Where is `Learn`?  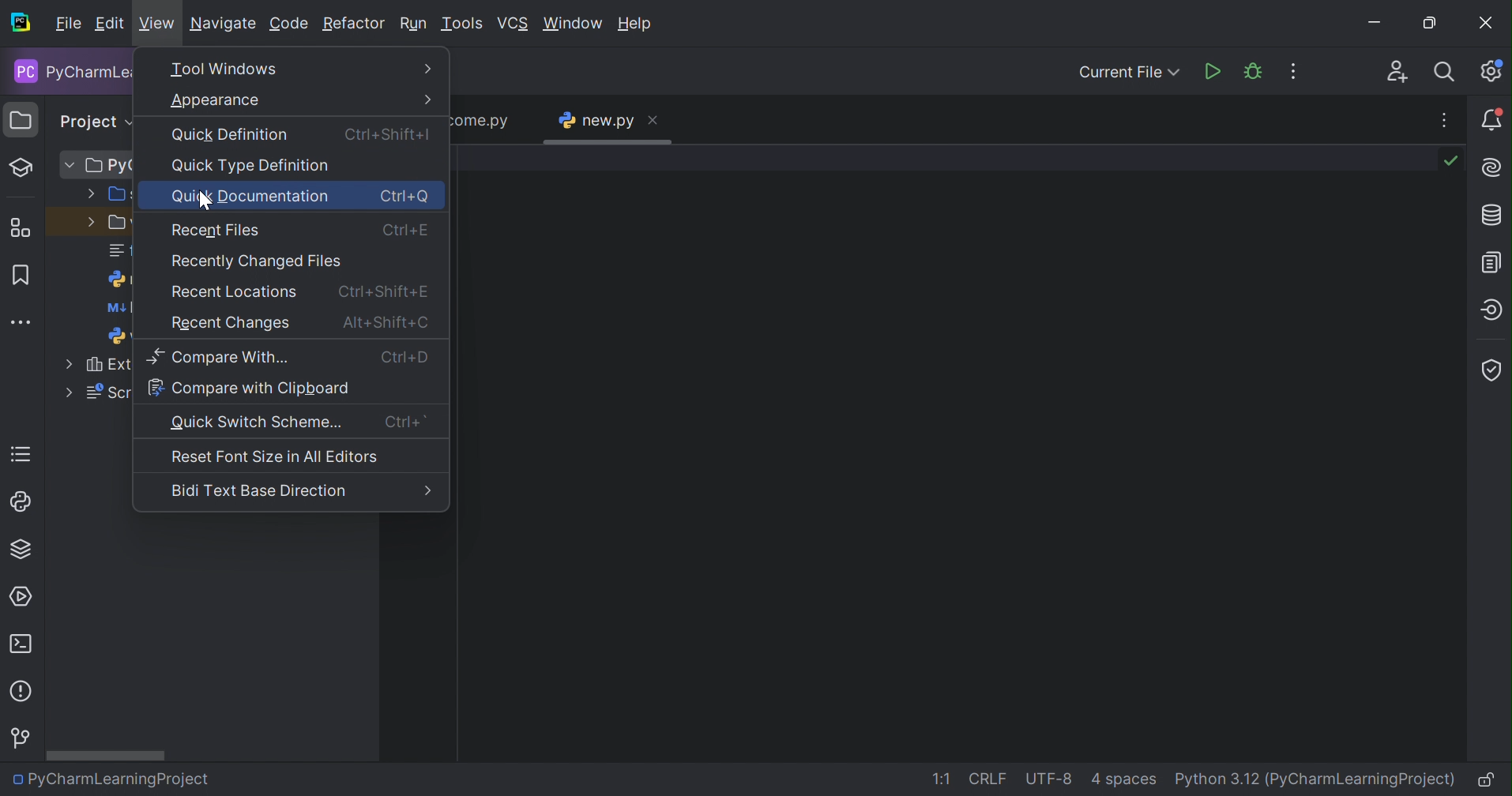
Learn is located at coordinates (22, 166).